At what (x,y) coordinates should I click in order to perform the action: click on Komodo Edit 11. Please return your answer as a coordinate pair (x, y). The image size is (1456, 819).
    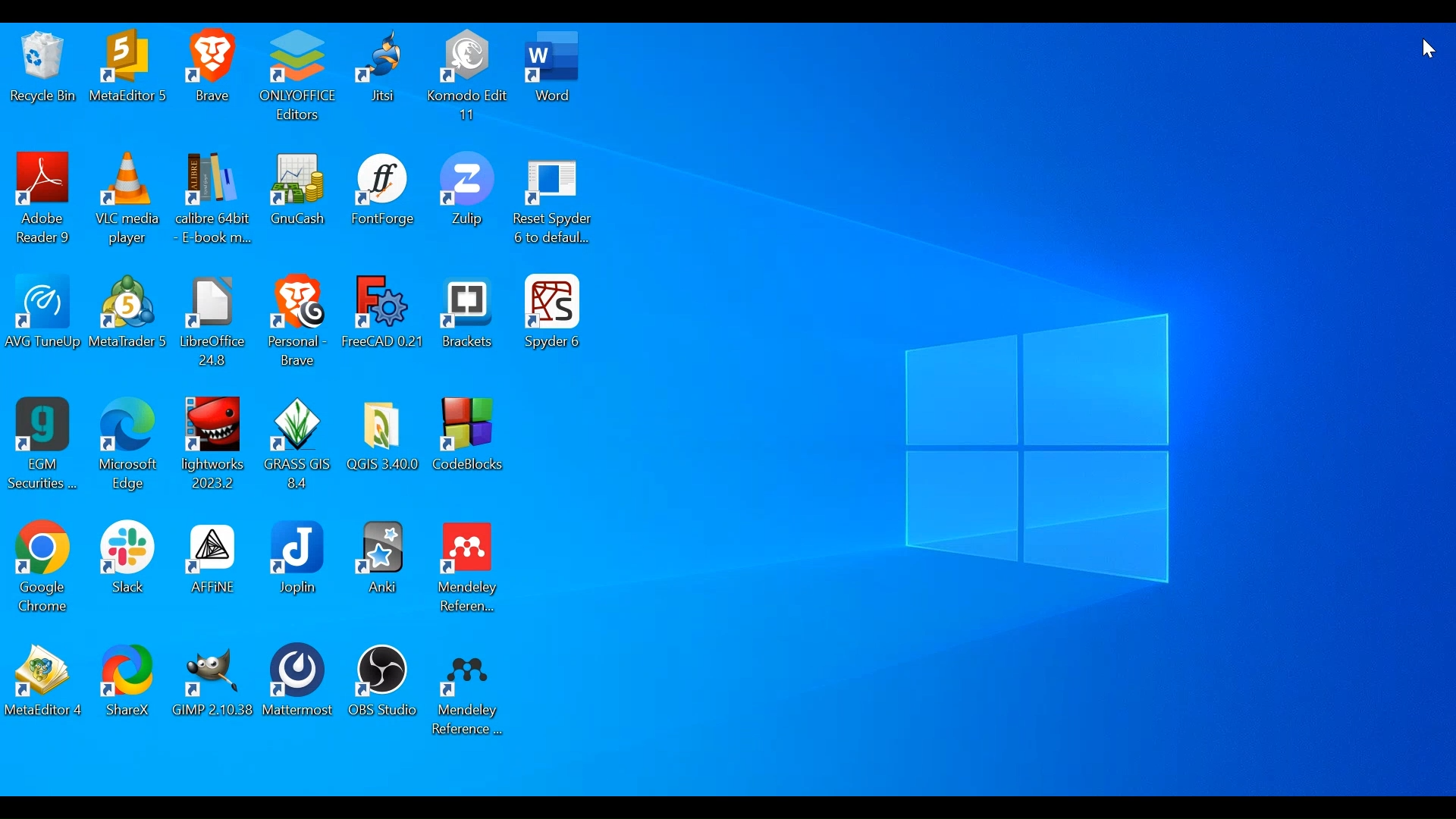
    Looking at the image, I should click on (467, 76).